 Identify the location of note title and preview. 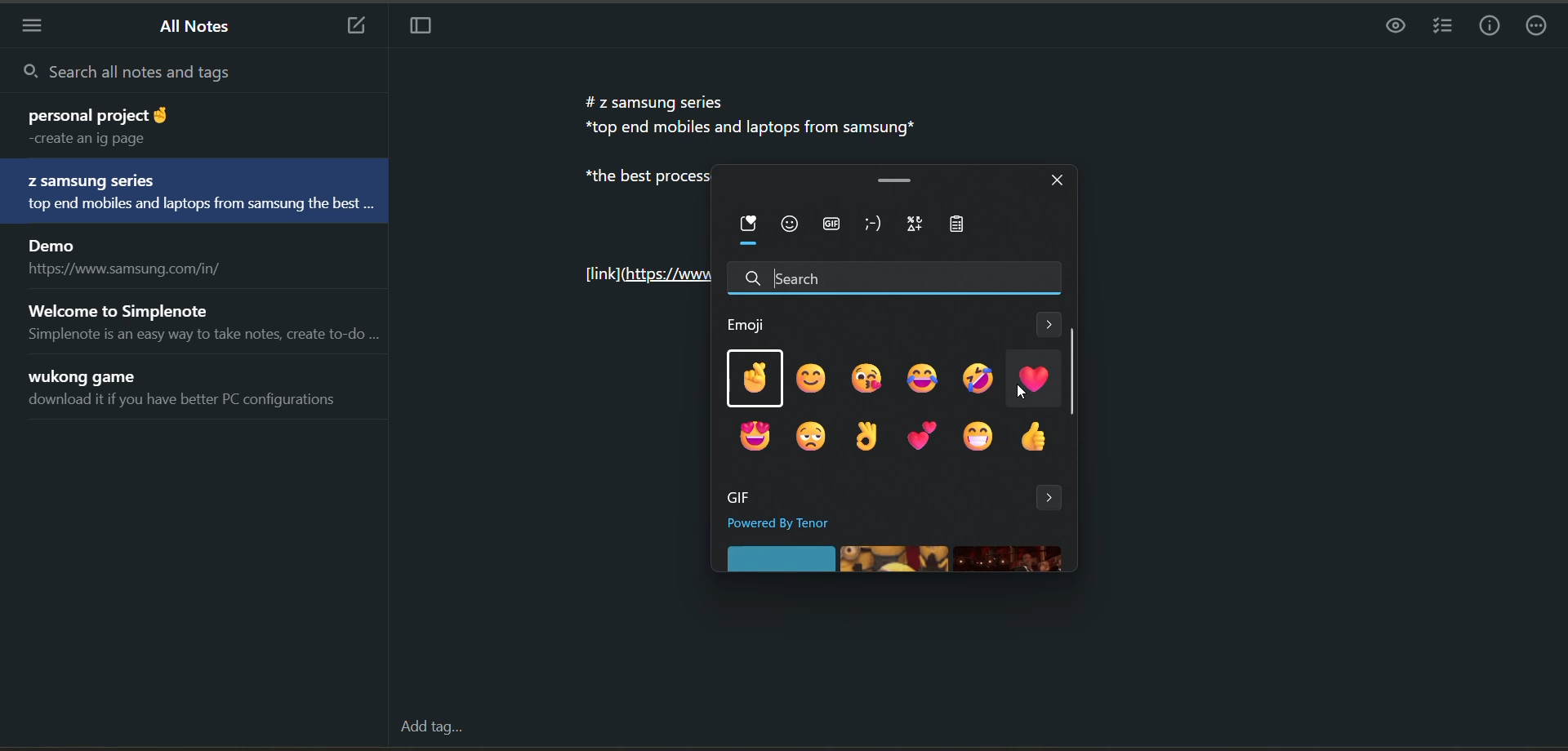
(199, 321).